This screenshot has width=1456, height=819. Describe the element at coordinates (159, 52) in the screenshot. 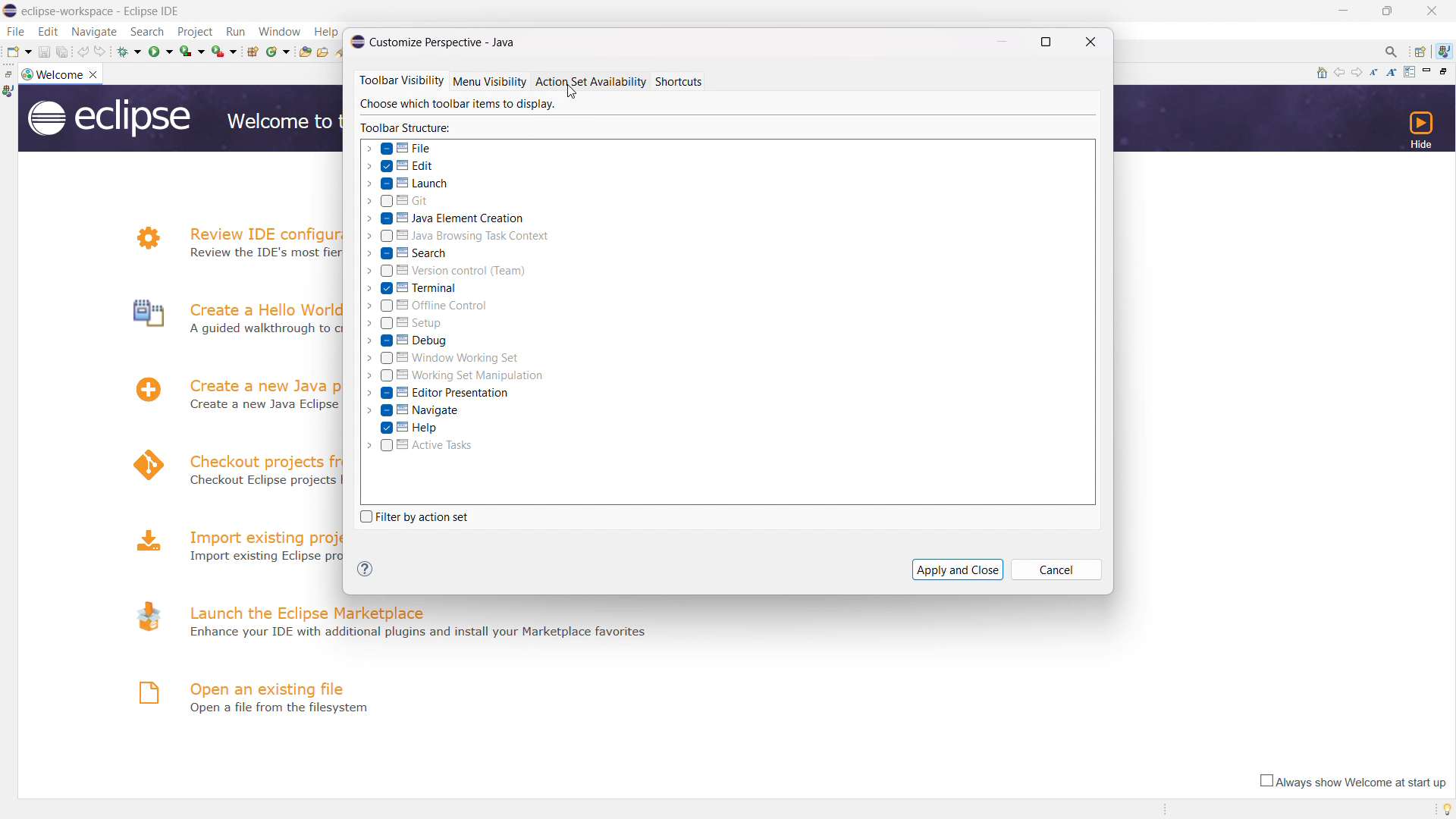

I see `run` at that location.